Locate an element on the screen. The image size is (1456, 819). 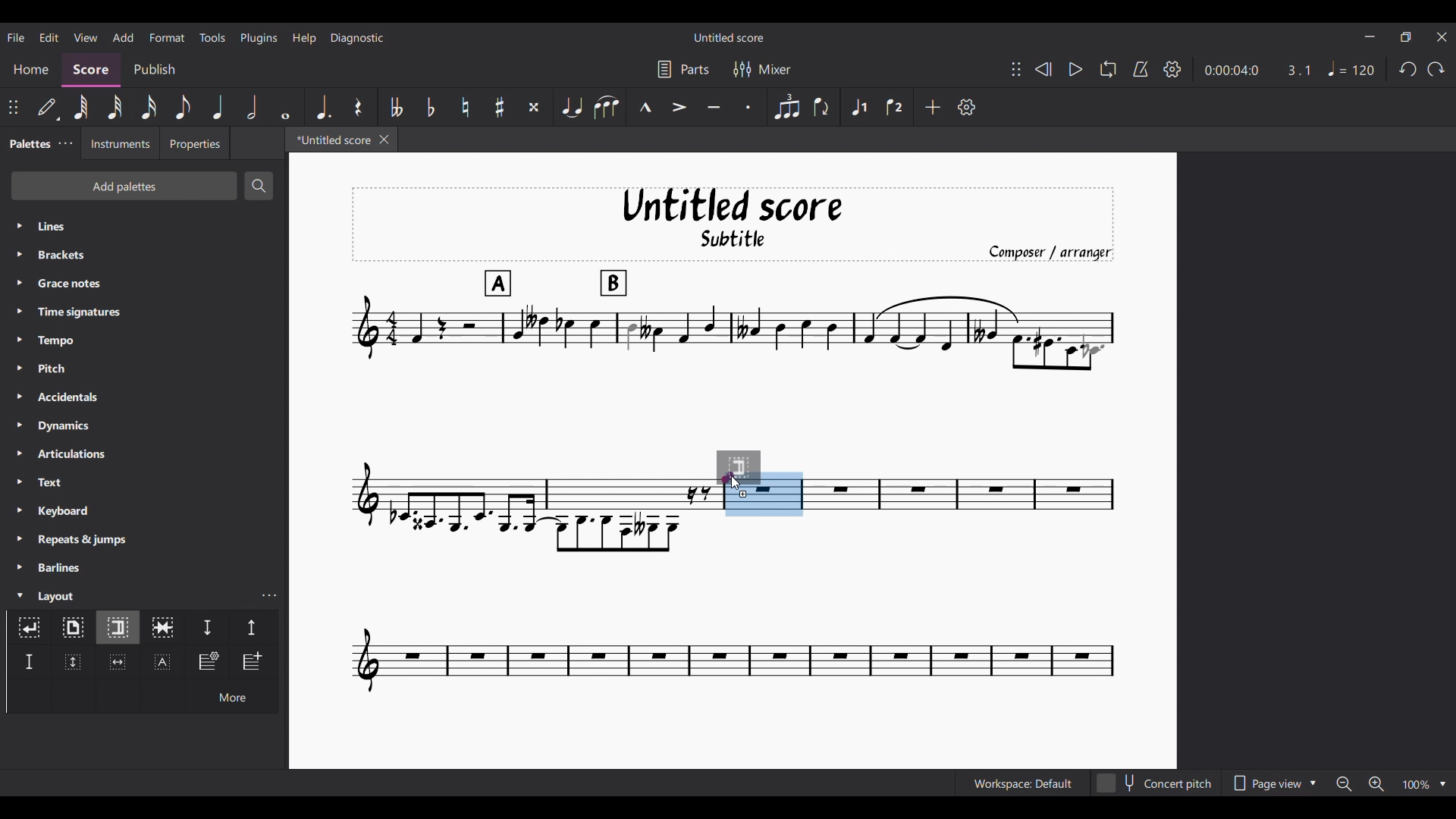
Undo is located at coordinates (1409, 68).